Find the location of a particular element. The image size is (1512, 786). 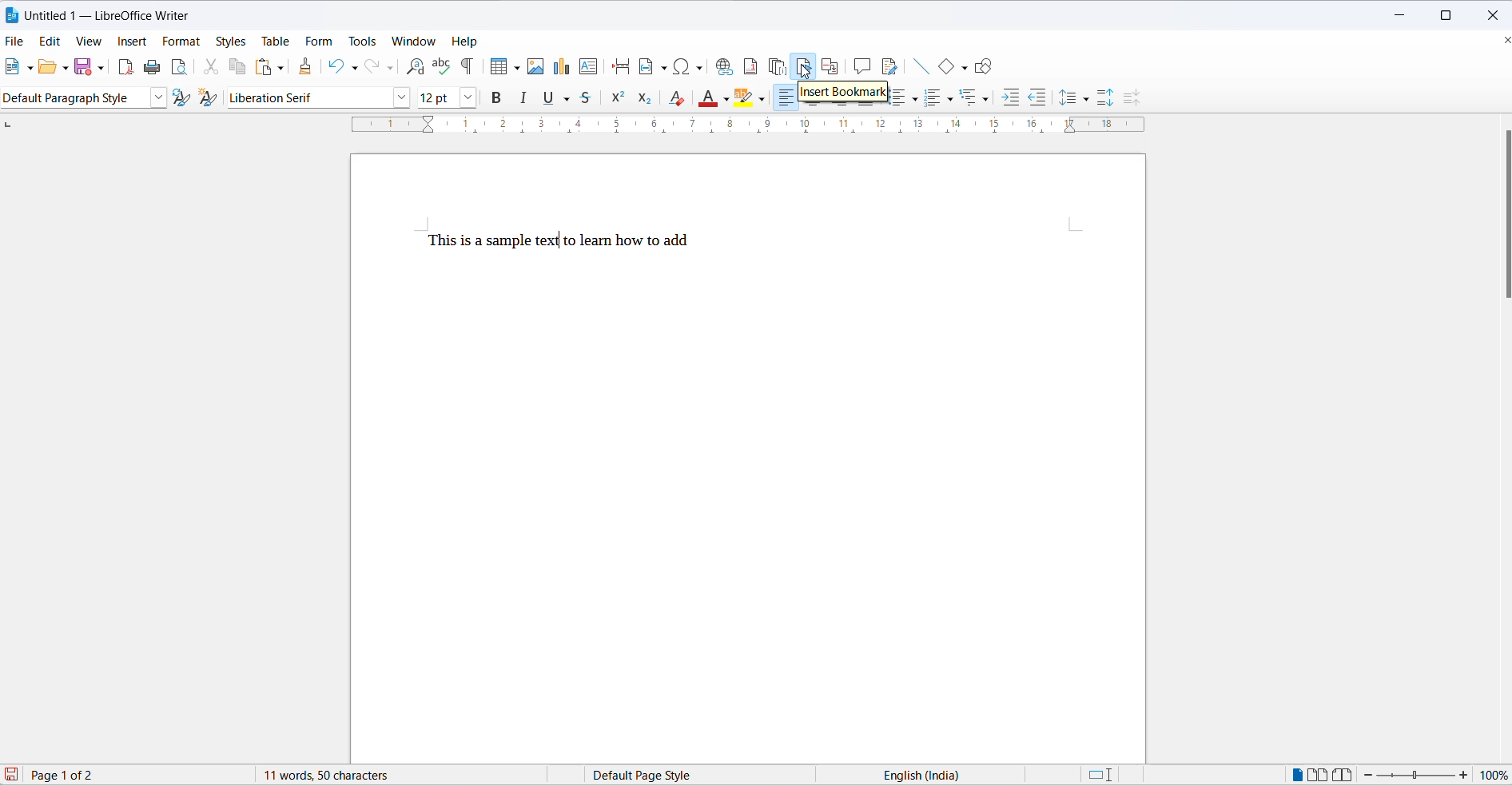

save options is located at coordinates (100, 69).